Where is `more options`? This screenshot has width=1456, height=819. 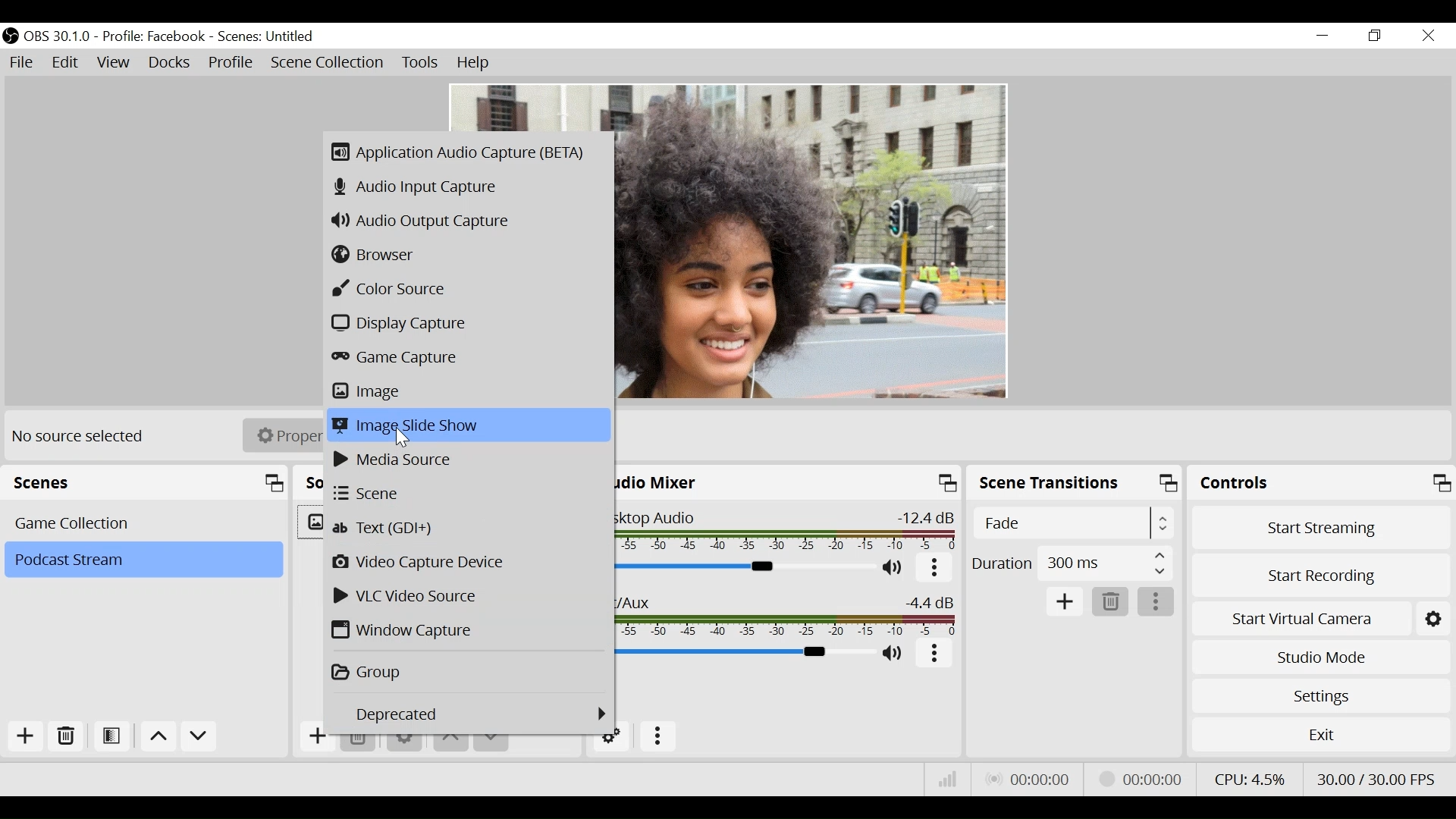 more options is located at coordinates (1157, 603).